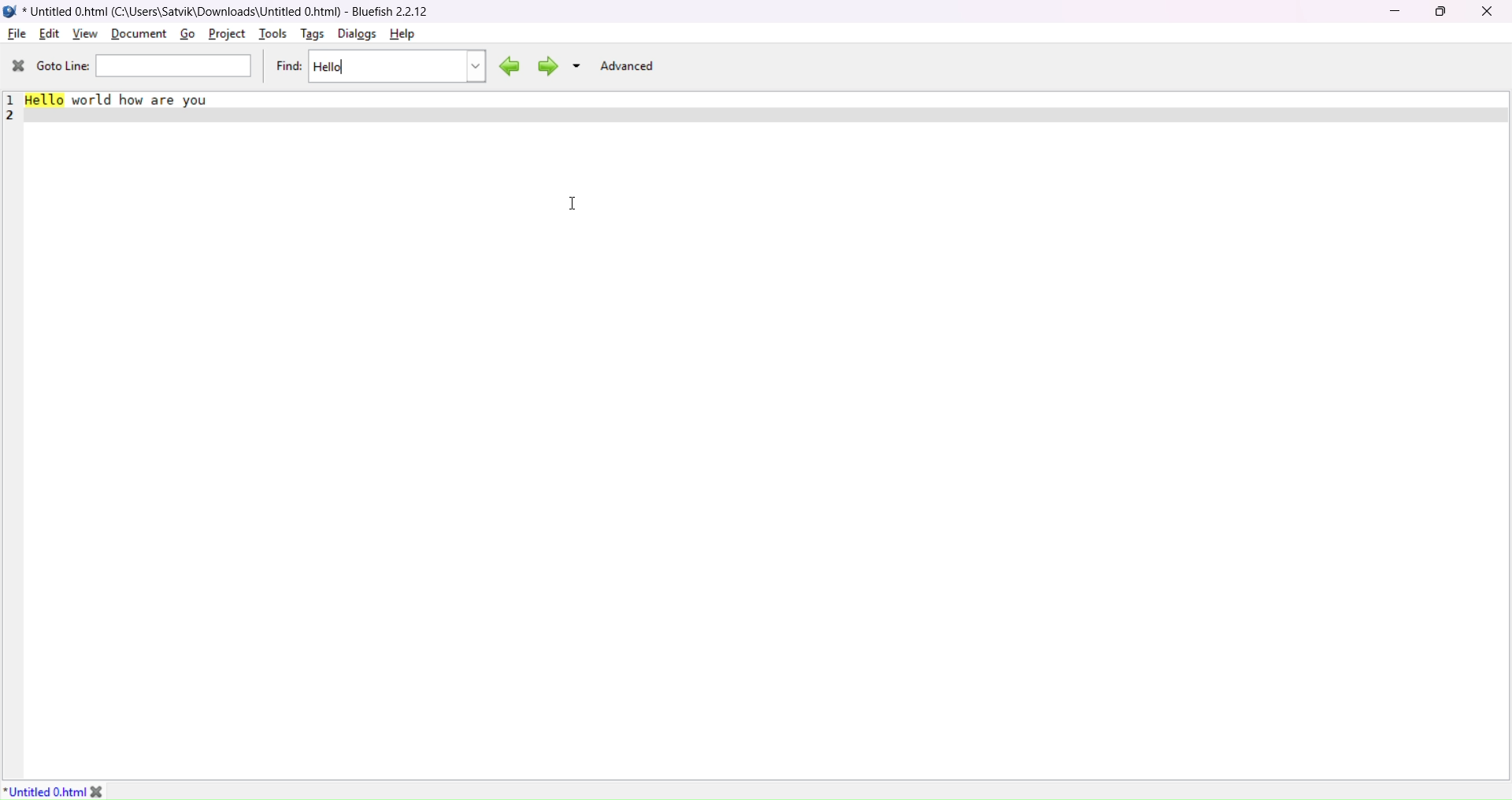 The height and width of the screenshot is (800, 1512). I want to click on enter line number, so click(176, 66).